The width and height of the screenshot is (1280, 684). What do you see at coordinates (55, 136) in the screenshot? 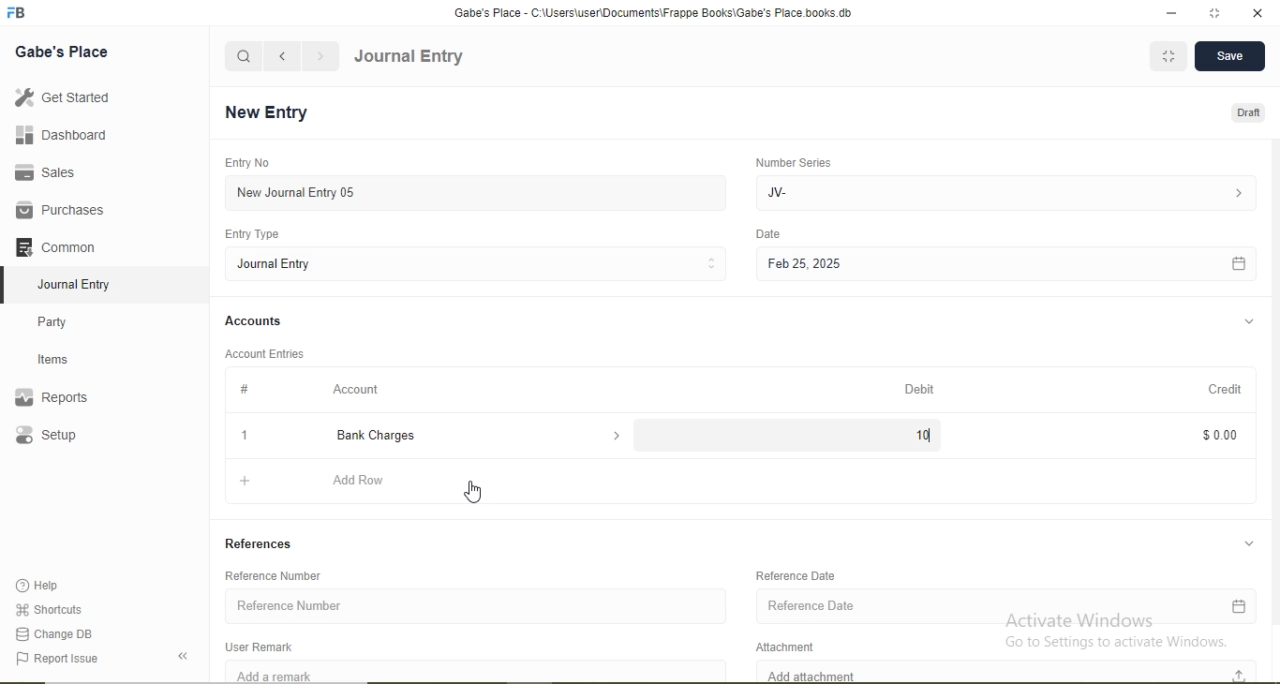
I see `Dashboard` at bounding box center [55, 136].